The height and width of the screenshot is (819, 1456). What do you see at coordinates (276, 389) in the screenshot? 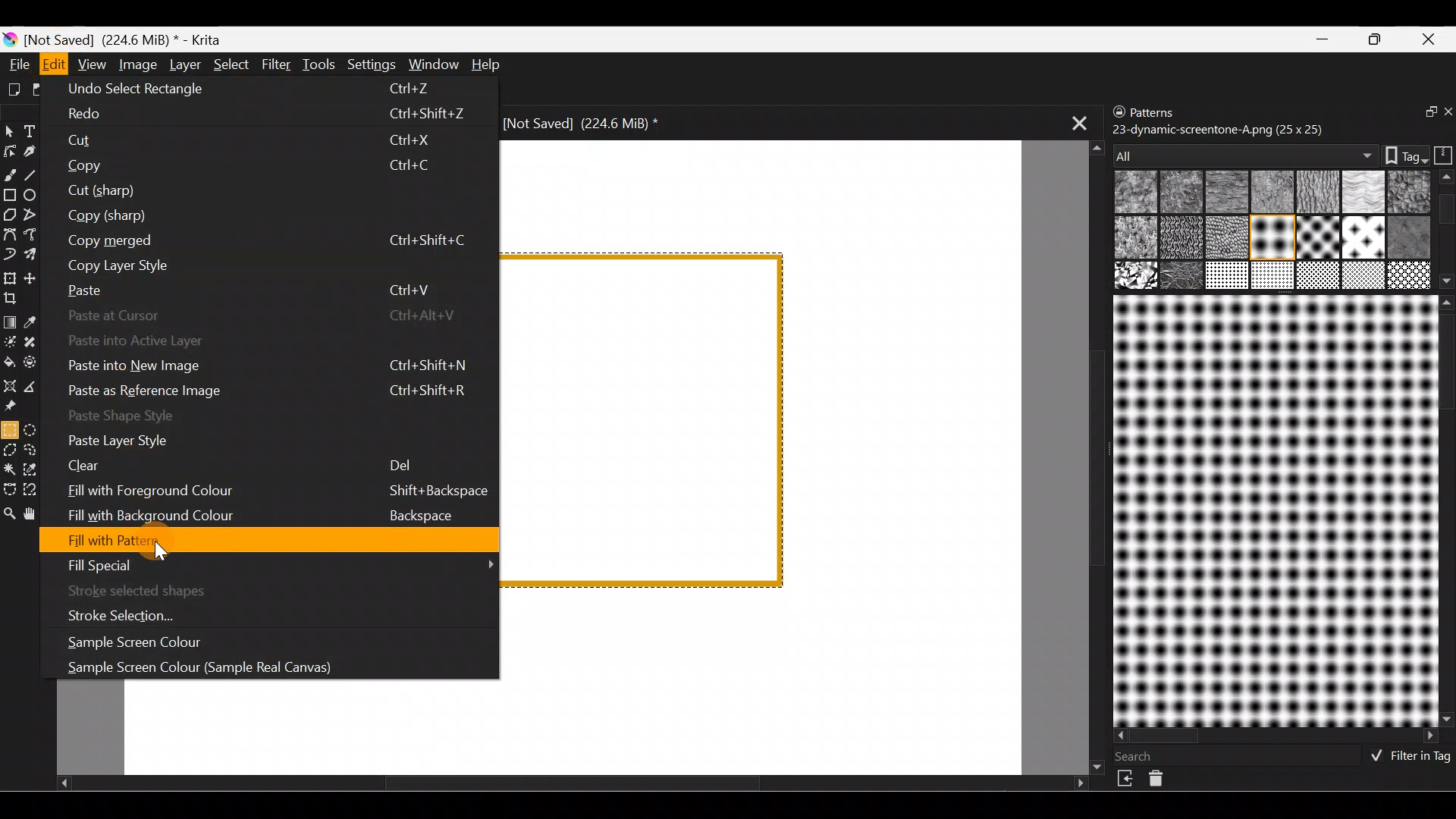
I see `Paste as reference image` at bounding box center [276, 389].